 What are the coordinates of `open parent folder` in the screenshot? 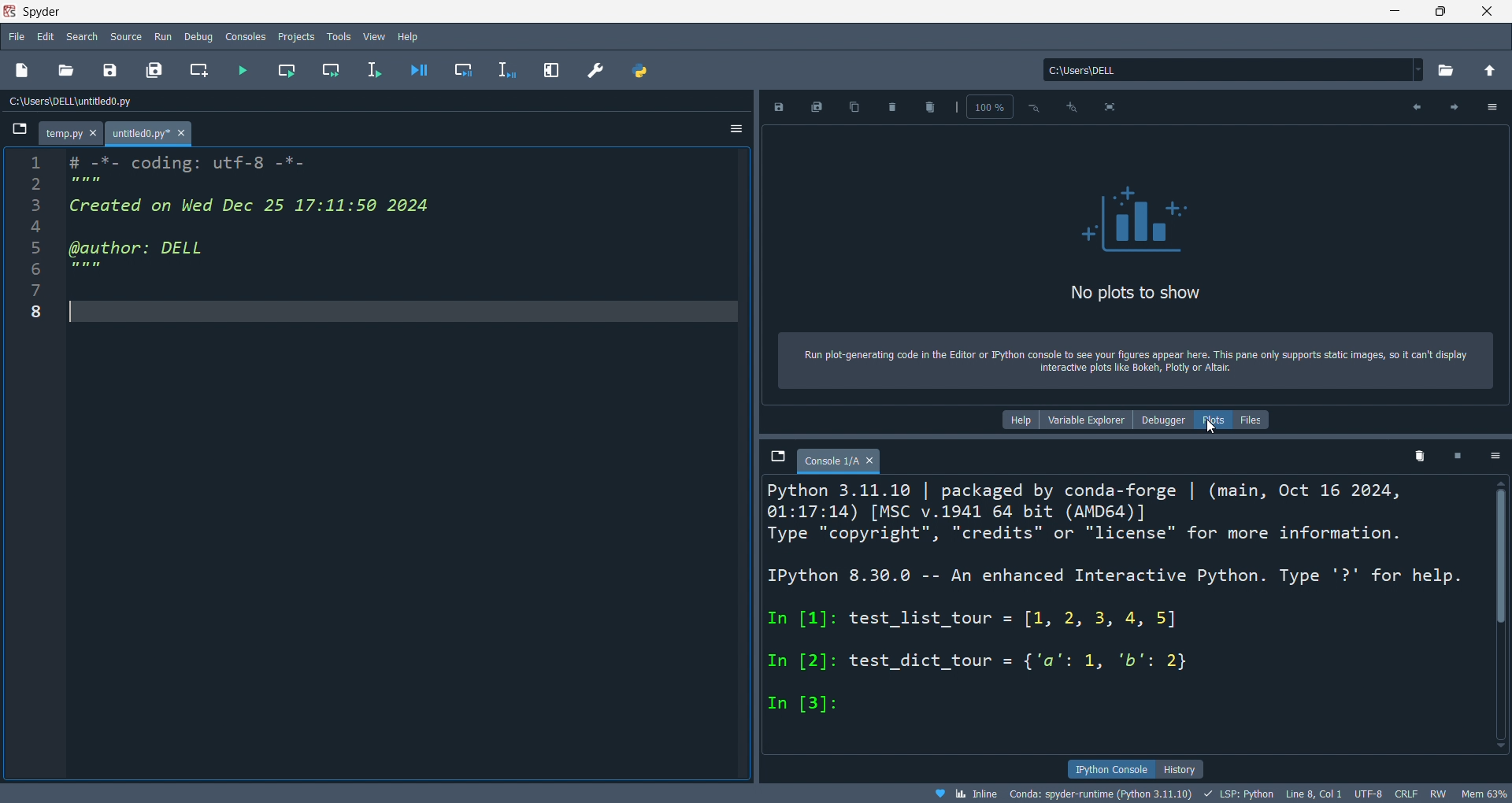 It's located at (1489, 71).